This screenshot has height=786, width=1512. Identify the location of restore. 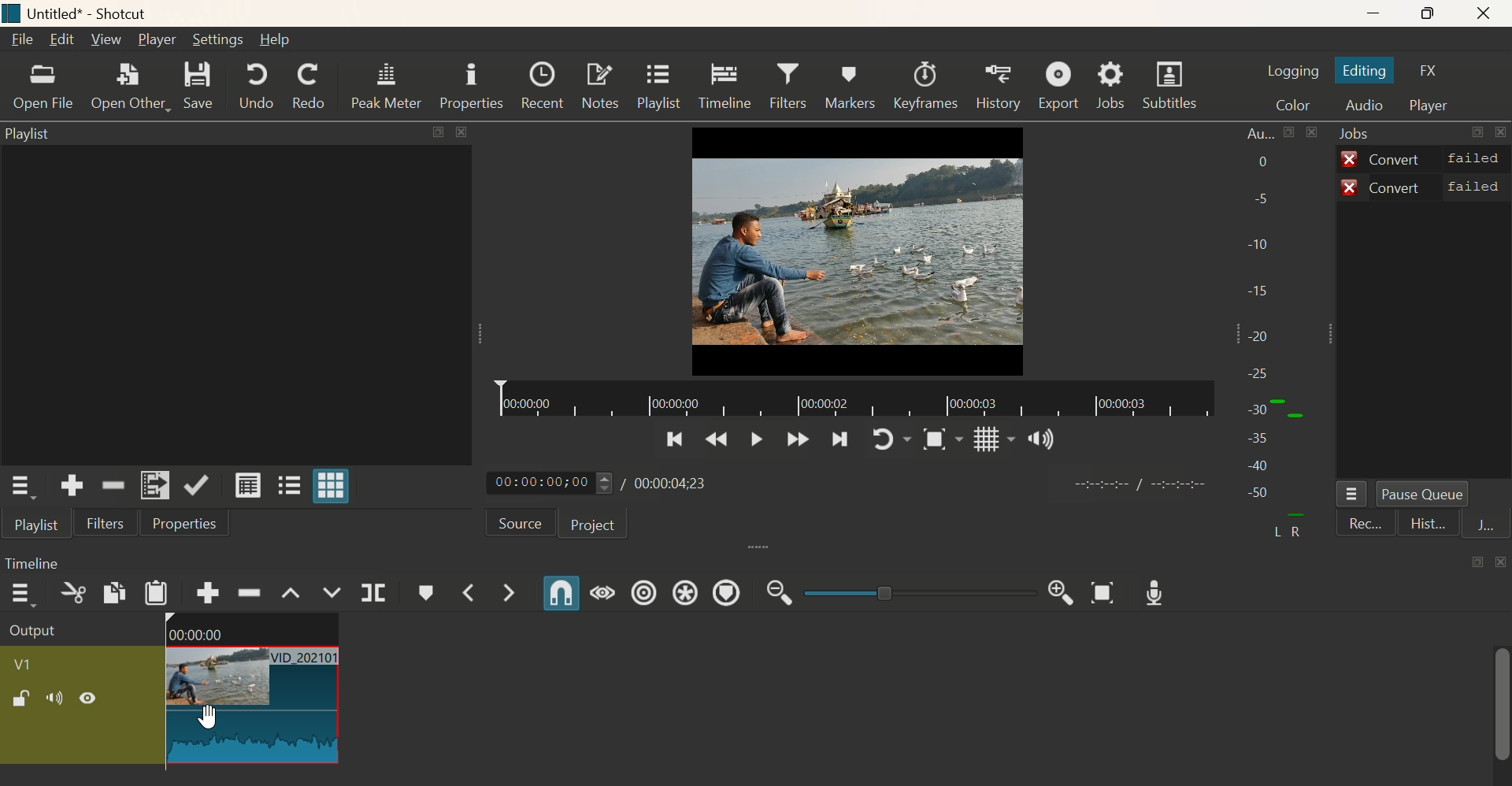
(436, 132).